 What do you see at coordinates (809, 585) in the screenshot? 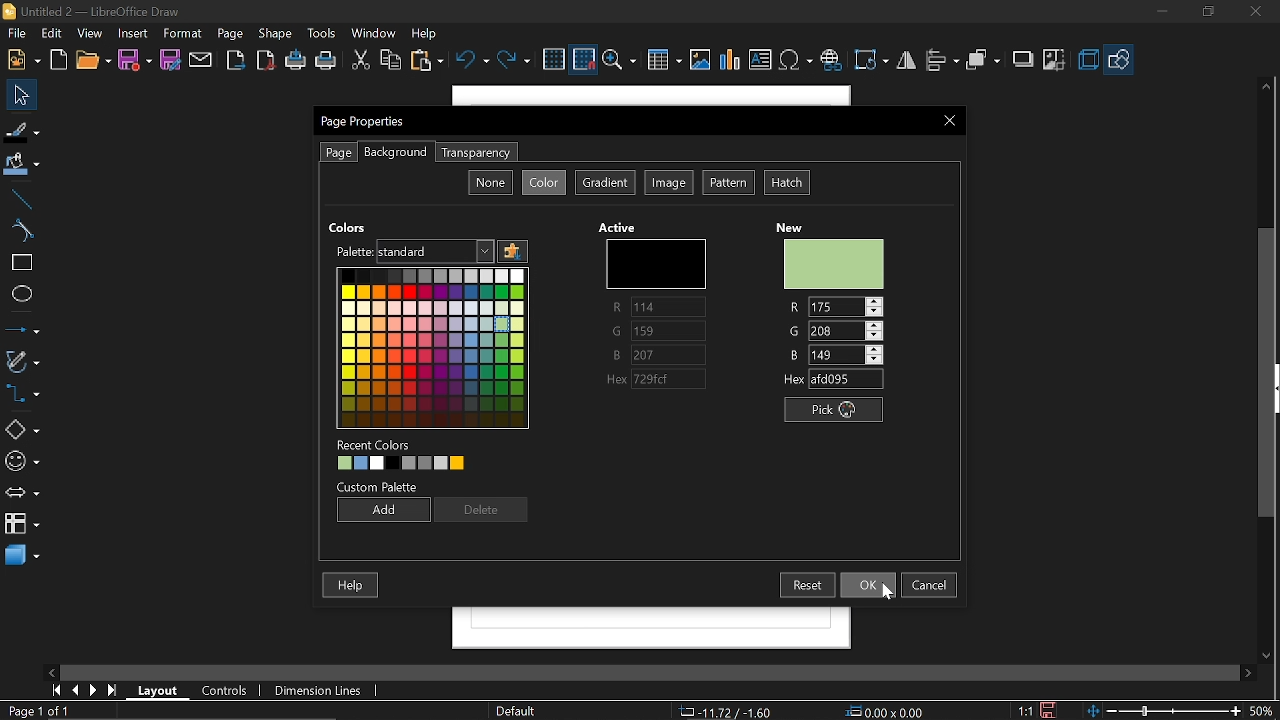
I see `Reset` at bounding box center [809, 585].